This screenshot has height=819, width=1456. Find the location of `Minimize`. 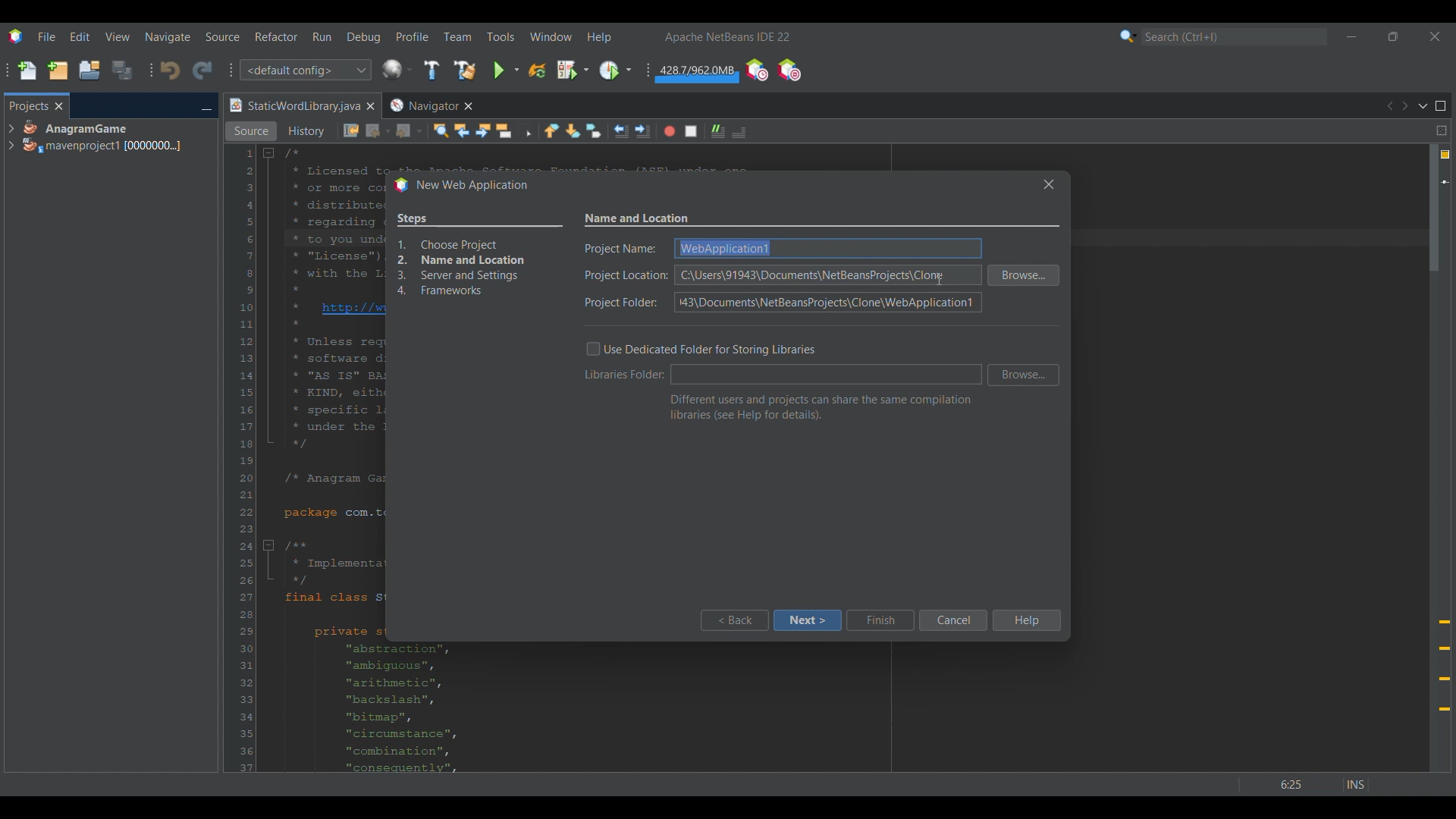

Minimize is located at coordinates (206, 107).